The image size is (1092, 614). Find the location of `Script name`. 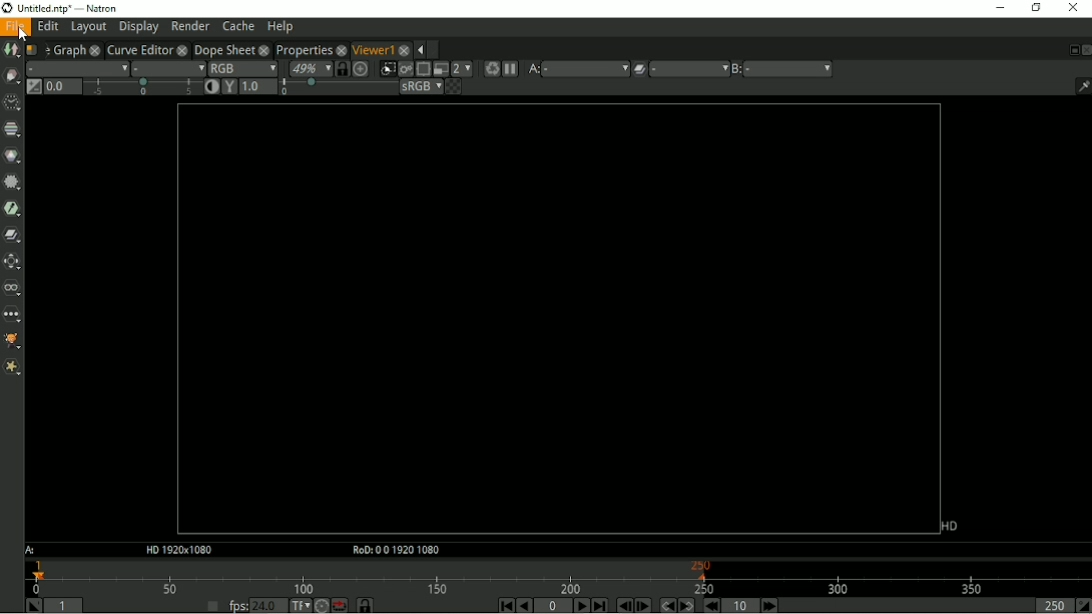

Script name is located at coordinates (34, 49).